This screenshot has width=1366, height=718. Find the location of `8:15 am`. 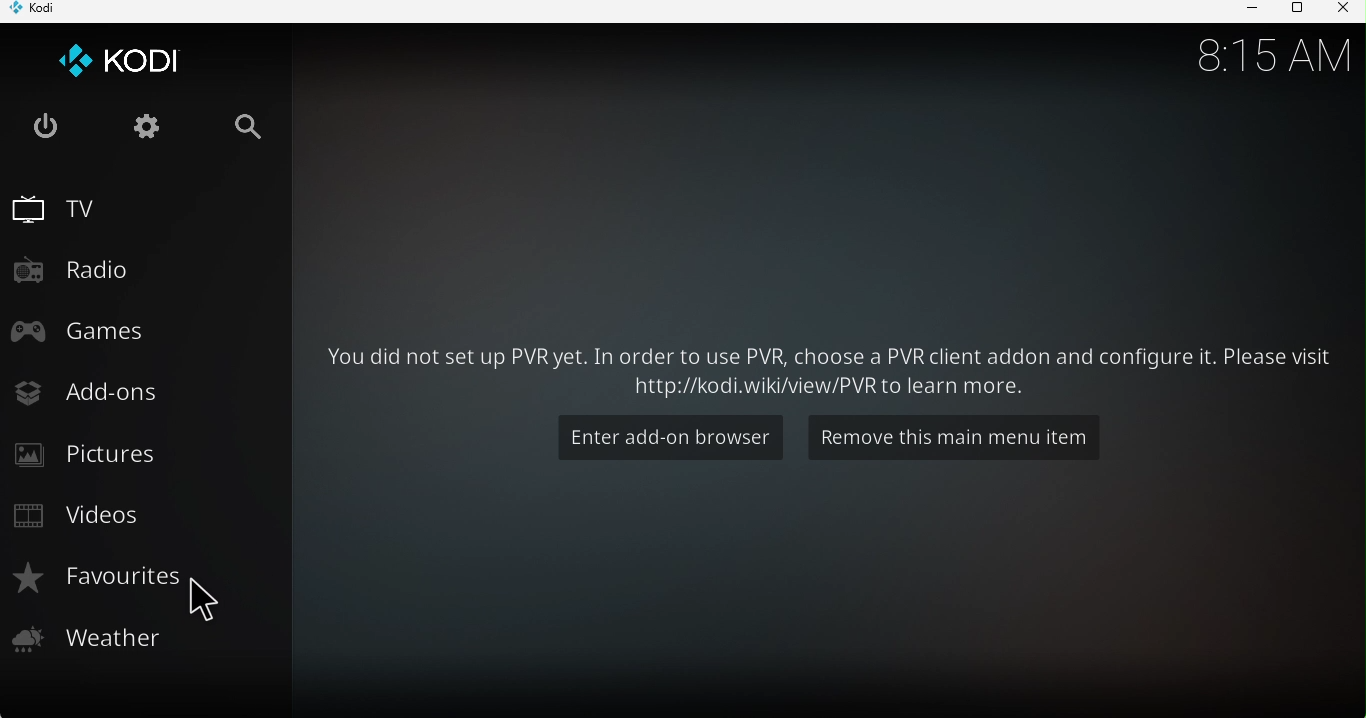

8:15 am is located at coordinates (1262, 53).